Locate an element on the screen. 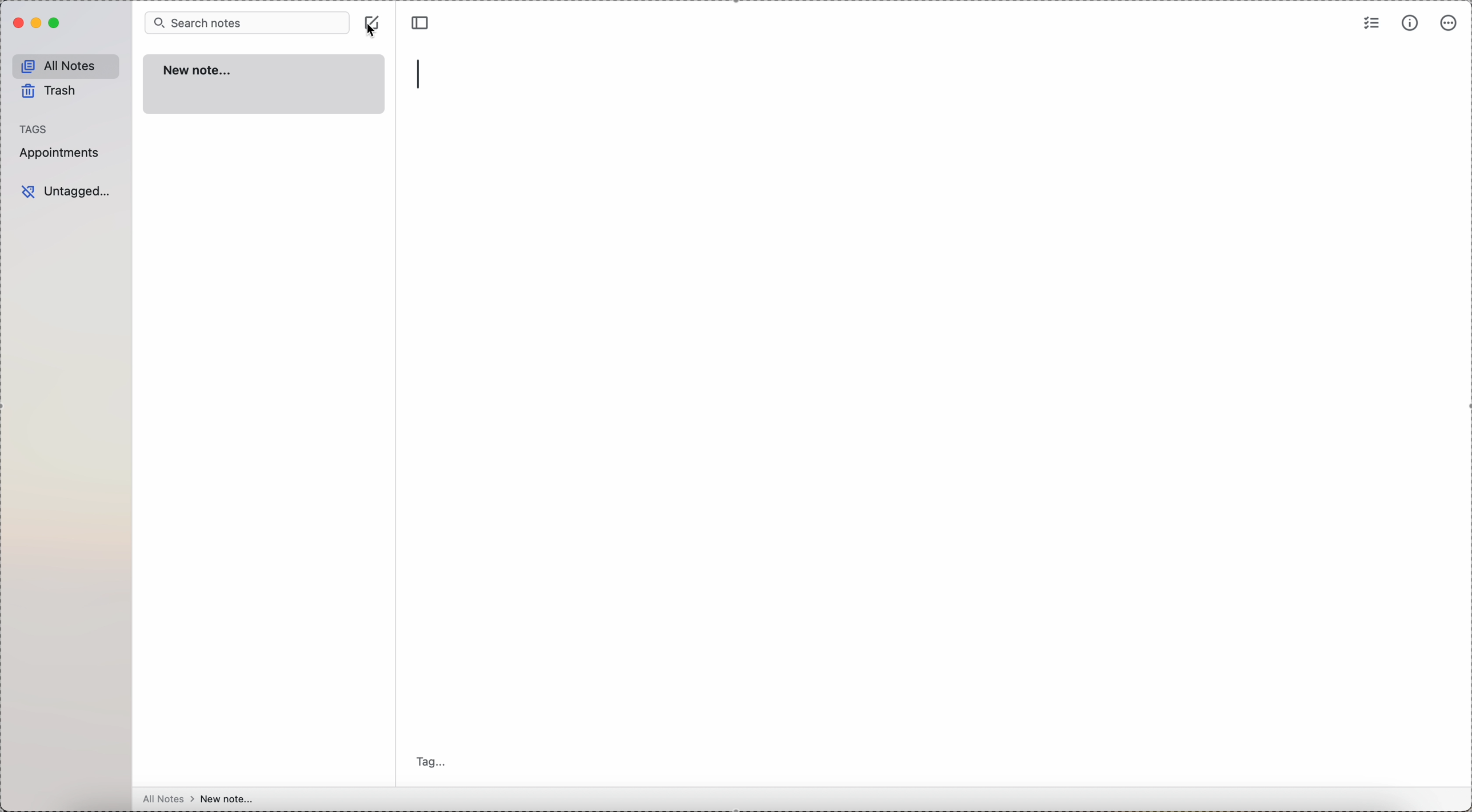  all notes > new note... is located at coordinates (198, 799).